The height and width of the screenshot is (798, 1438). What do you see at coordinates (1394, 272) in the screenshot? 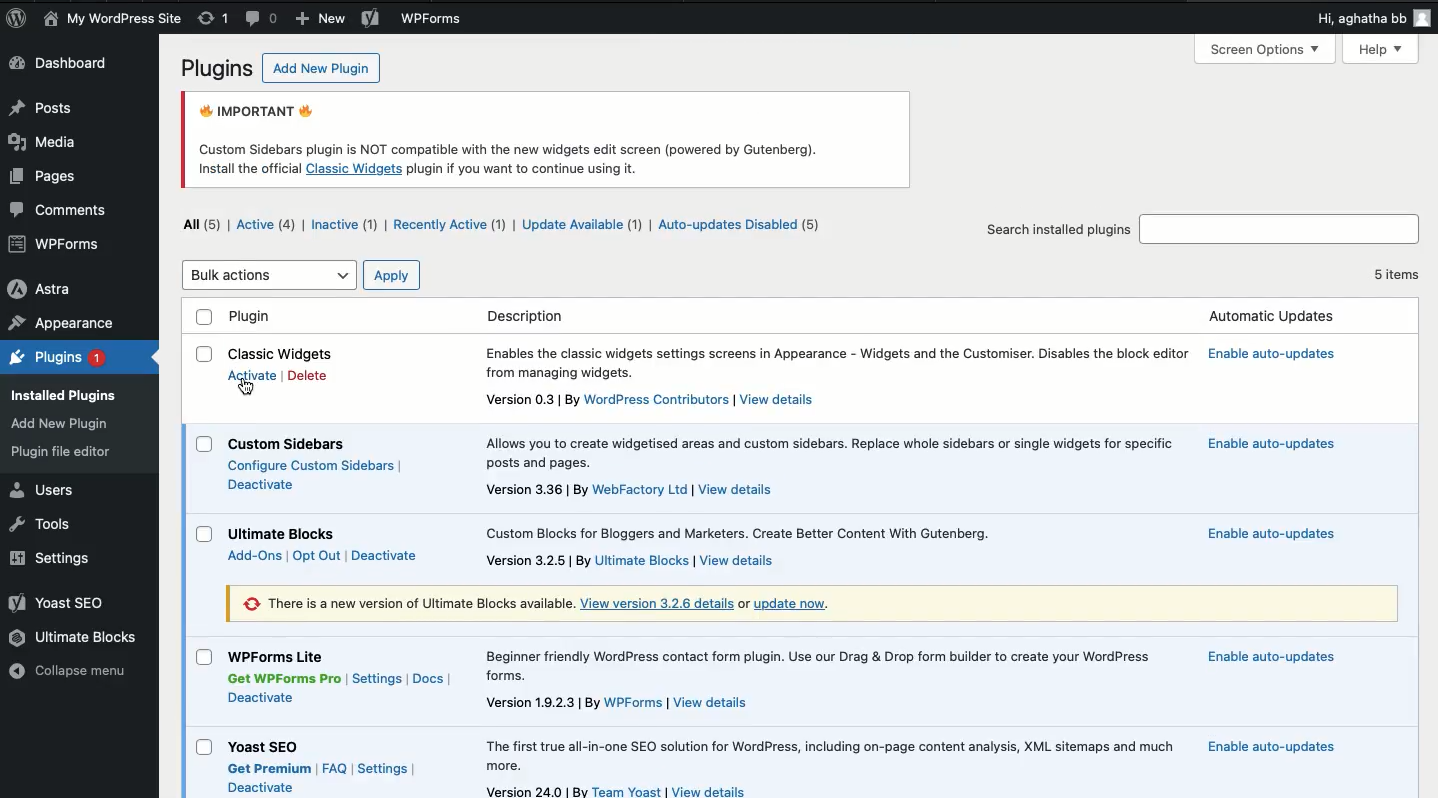
I see `5 items` at bounding box center [1394, 272].